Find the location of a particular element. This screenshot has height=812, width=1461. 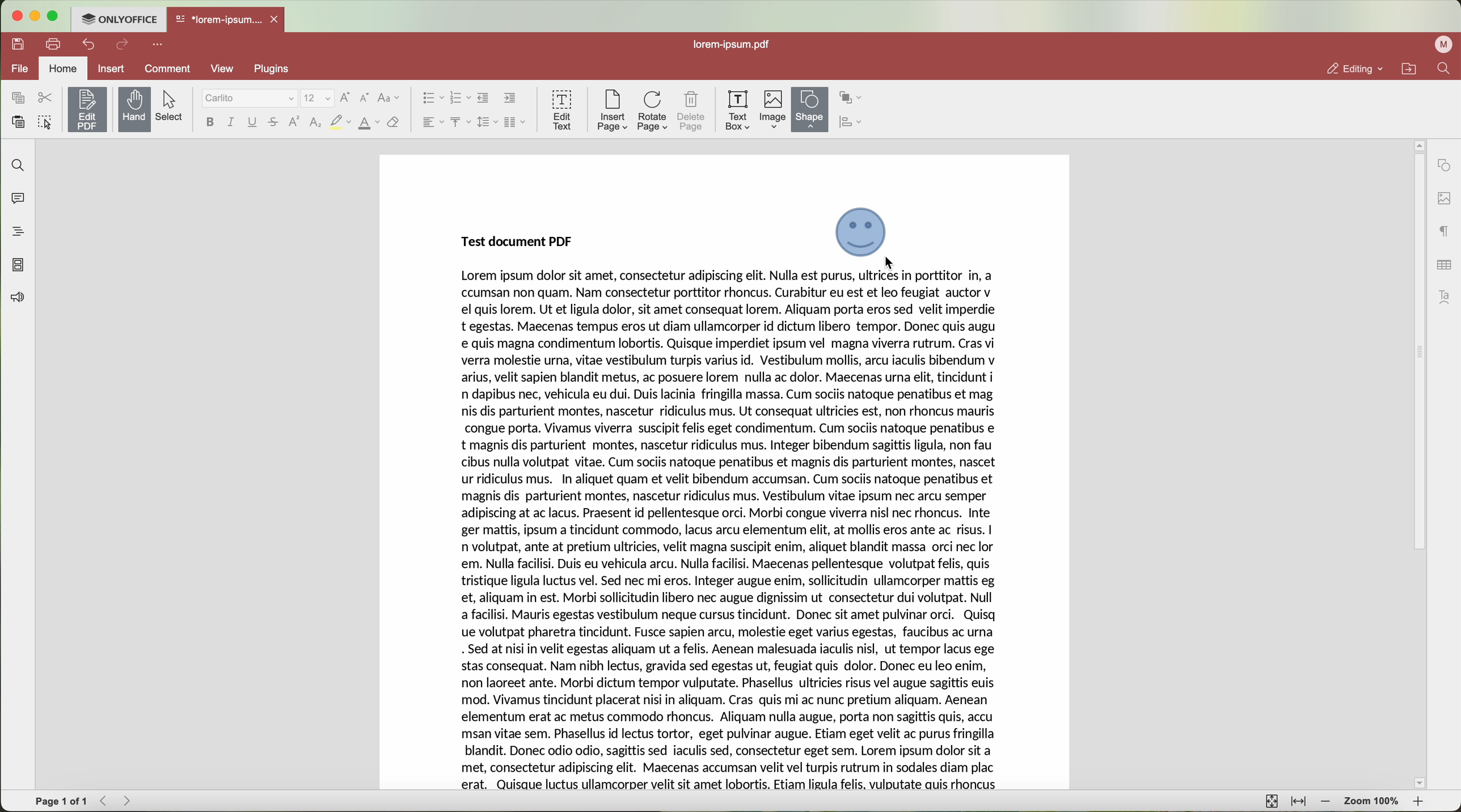

strikeout is located at coordinates (340, 122).